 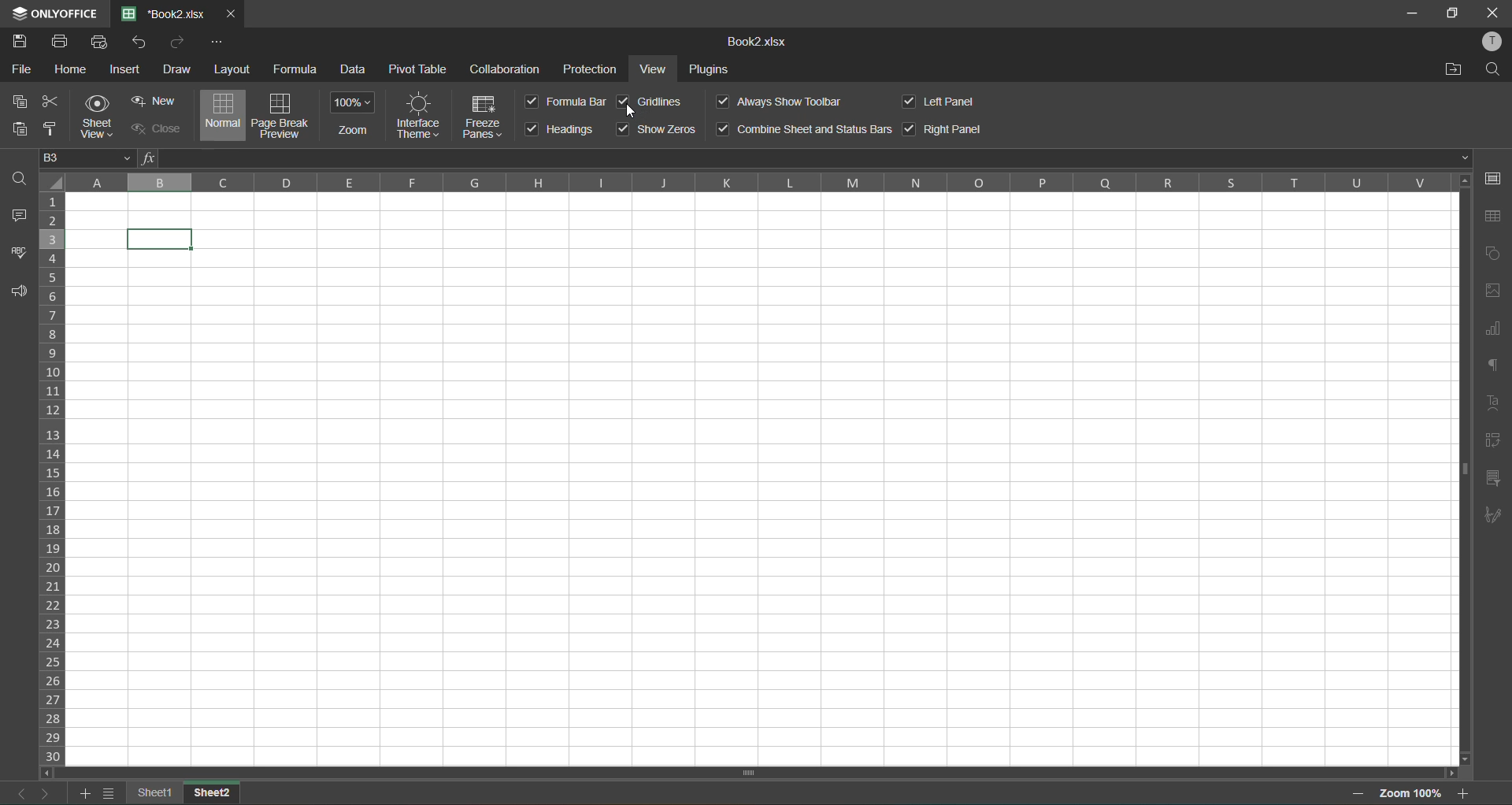 I want to click on quick print, so click(x=100, y=44).